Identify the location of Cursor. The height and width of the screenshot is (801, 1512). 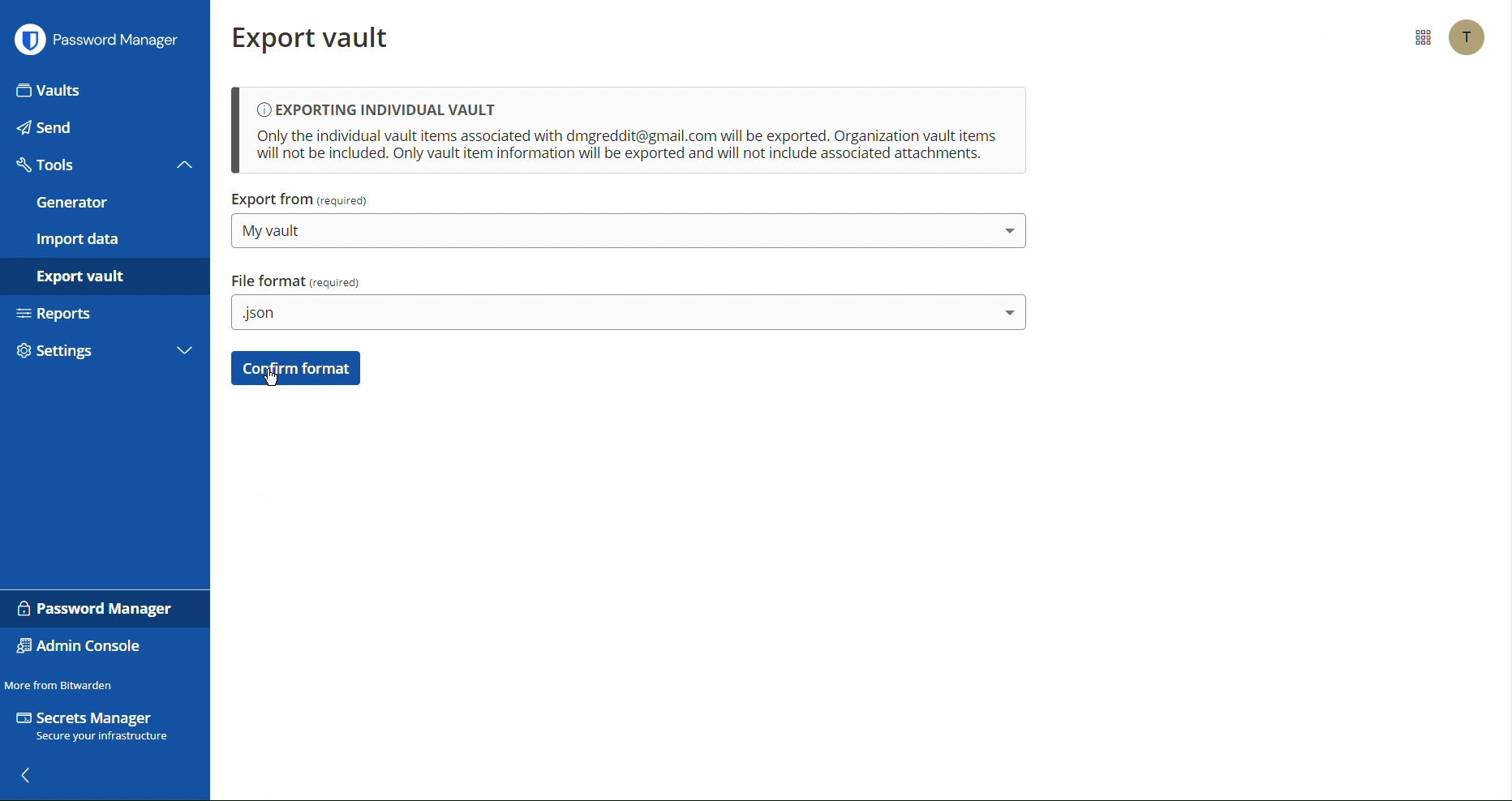
(273, 379).